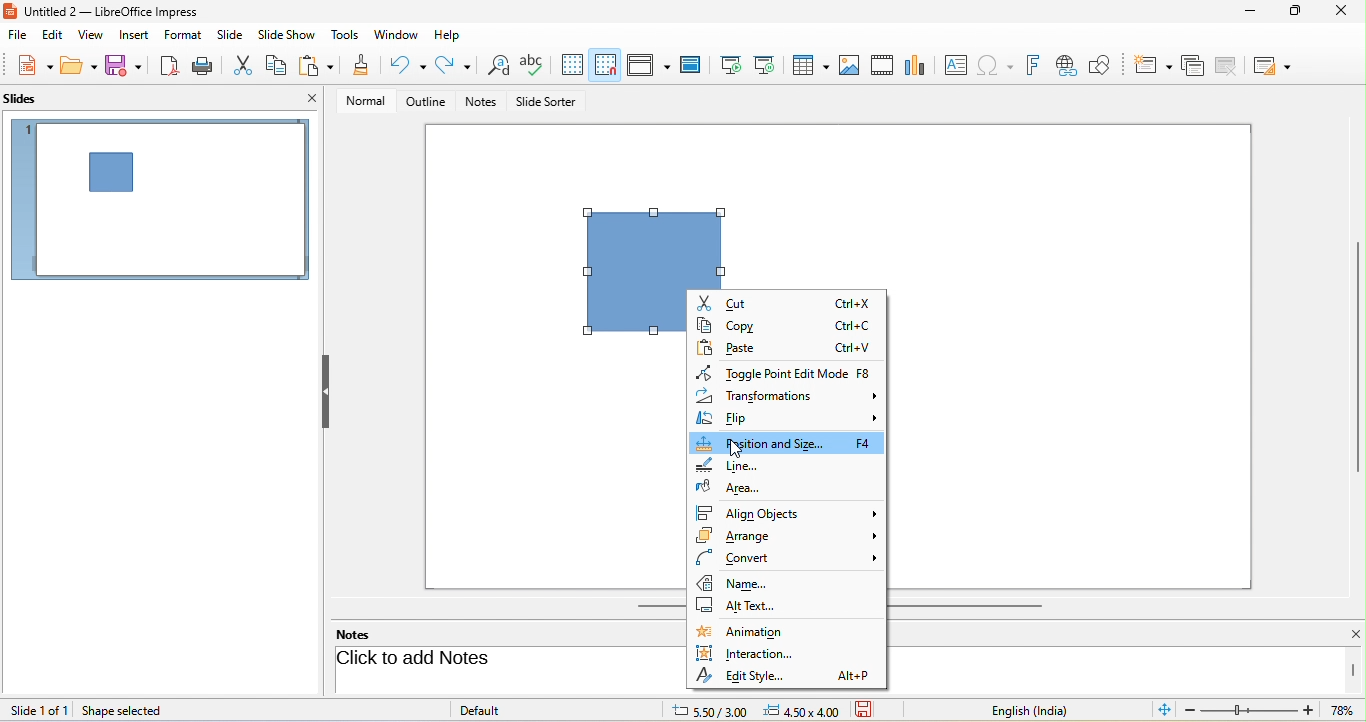 The image size is (1366, 722). Describe the element at coordinates (449, 33) in the screenshot. I see `help` at that location.